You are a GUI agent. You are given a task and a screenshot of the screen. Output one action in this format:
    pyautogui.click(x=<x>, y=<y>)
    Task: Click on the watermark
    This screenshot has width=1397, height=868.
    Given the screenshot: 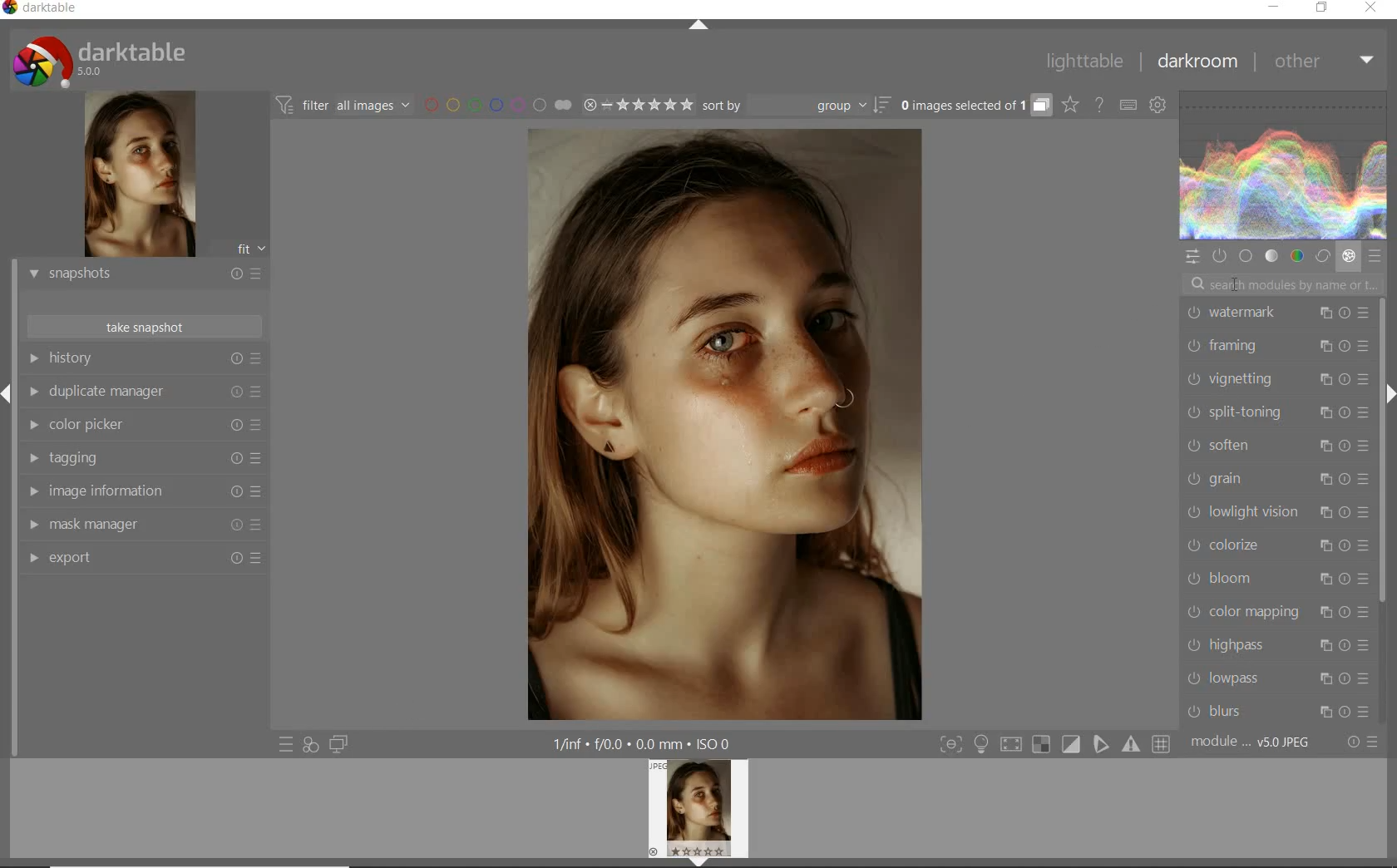 What is the action you would take?
    pyautogui.click(x=1276, y=314)
    